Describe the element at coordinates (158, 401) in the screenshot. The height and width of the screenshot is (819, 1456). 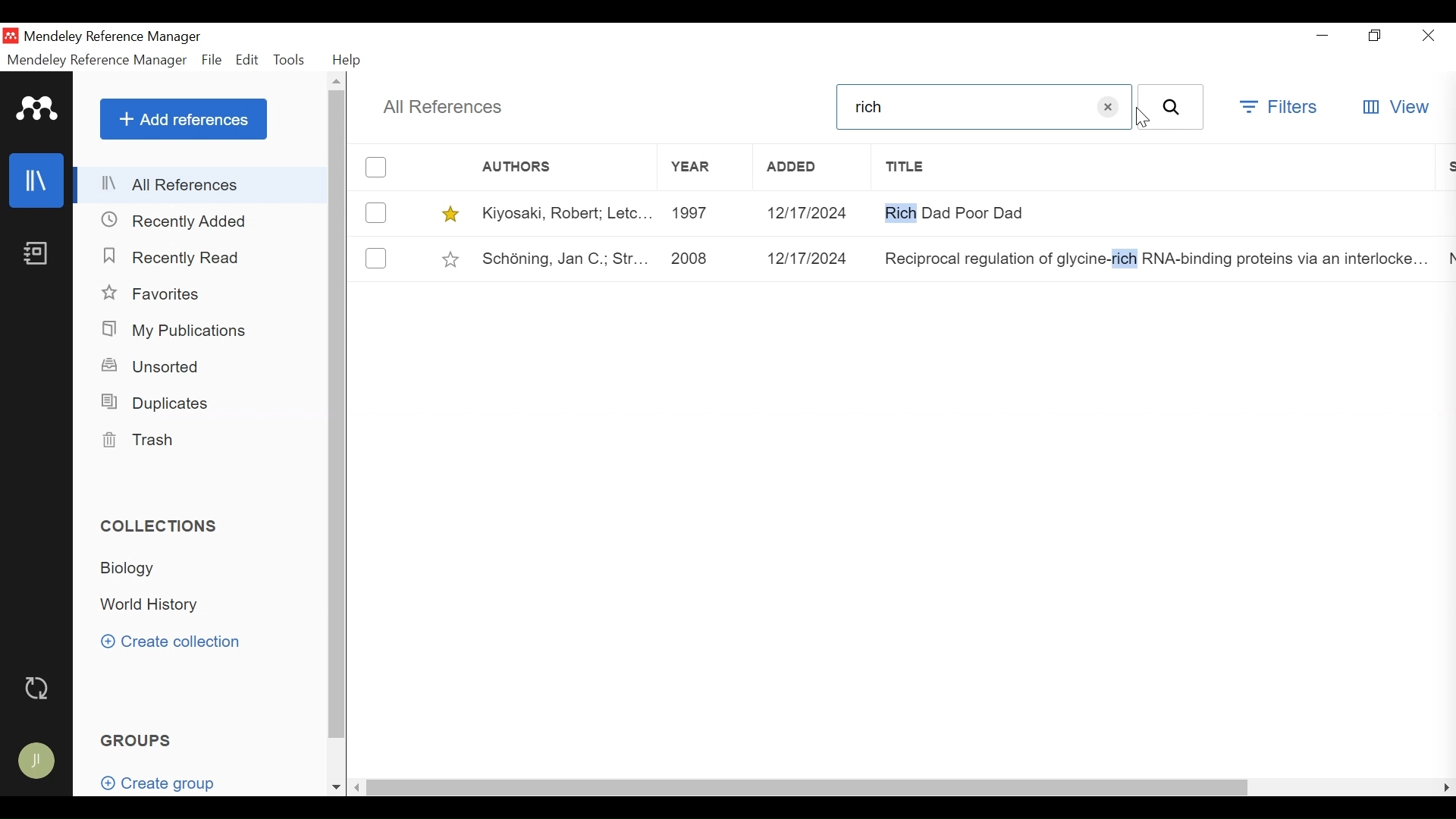
I see `Duplicates` at that location.